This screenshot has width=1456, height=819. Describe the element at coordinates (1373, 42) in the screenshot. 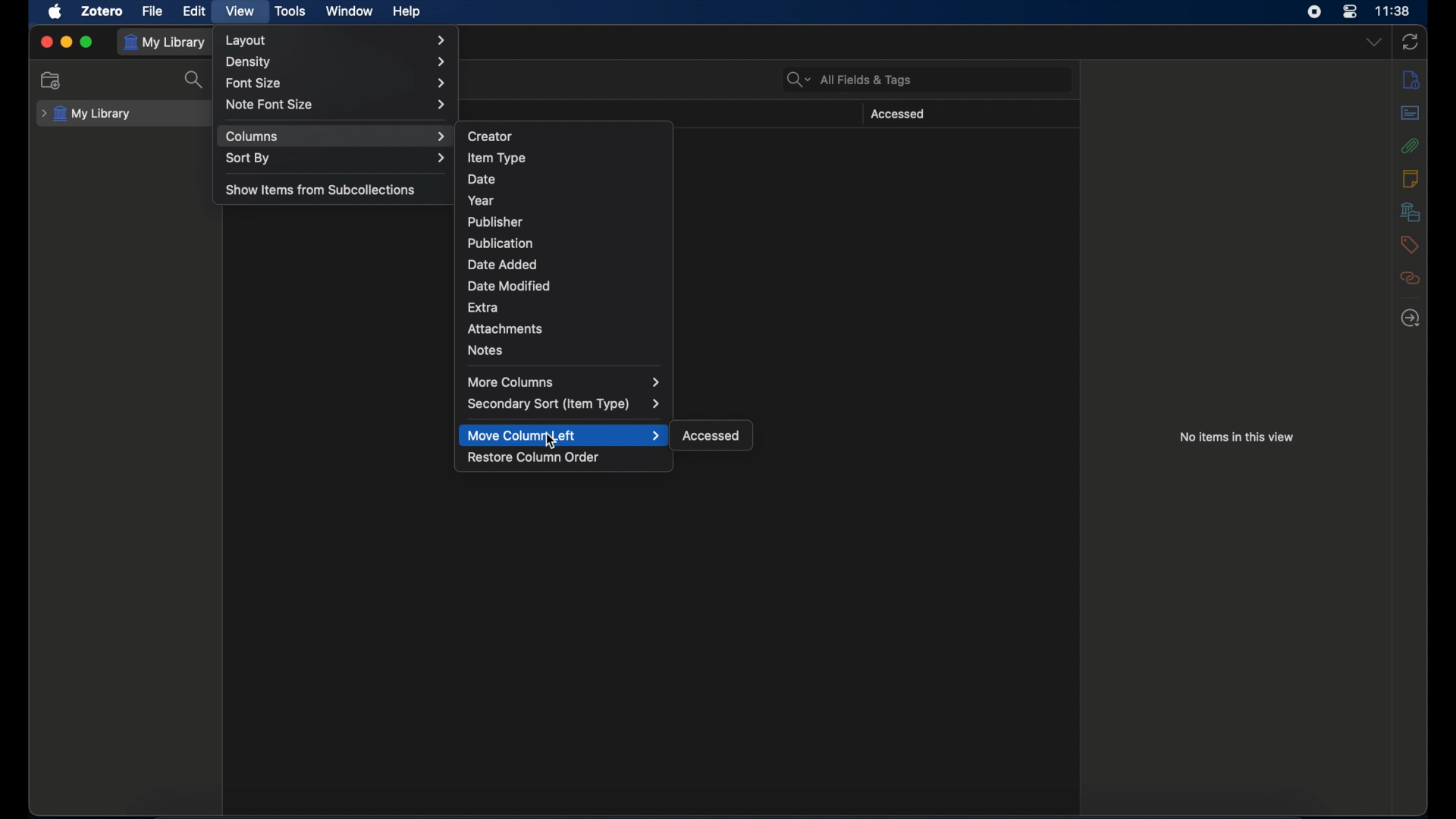

I see `dropdown` at that location.